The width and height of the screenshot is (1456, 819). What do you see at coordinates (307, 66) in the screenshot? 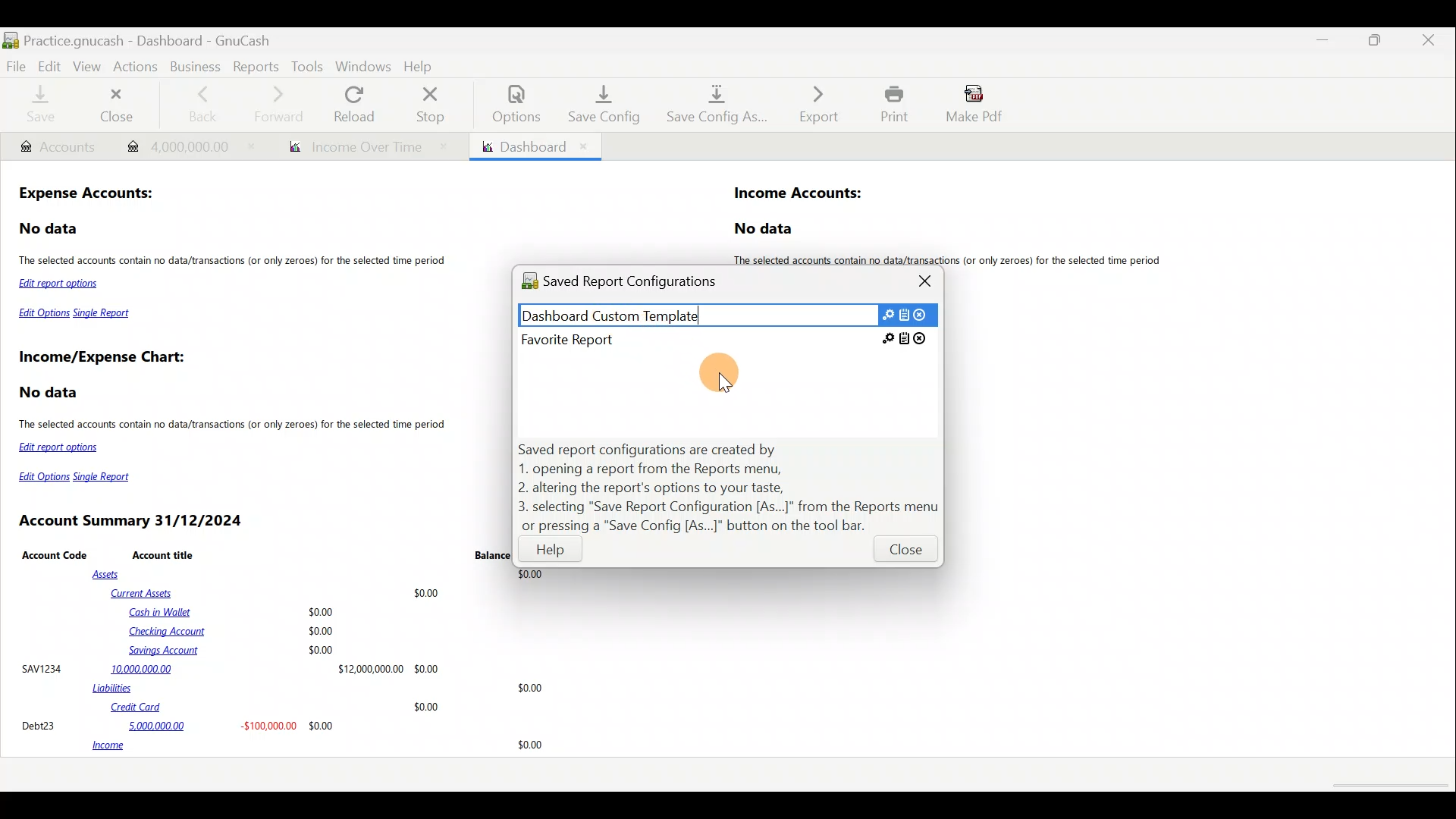
I see `Tools` at bounding box center [307, 66].